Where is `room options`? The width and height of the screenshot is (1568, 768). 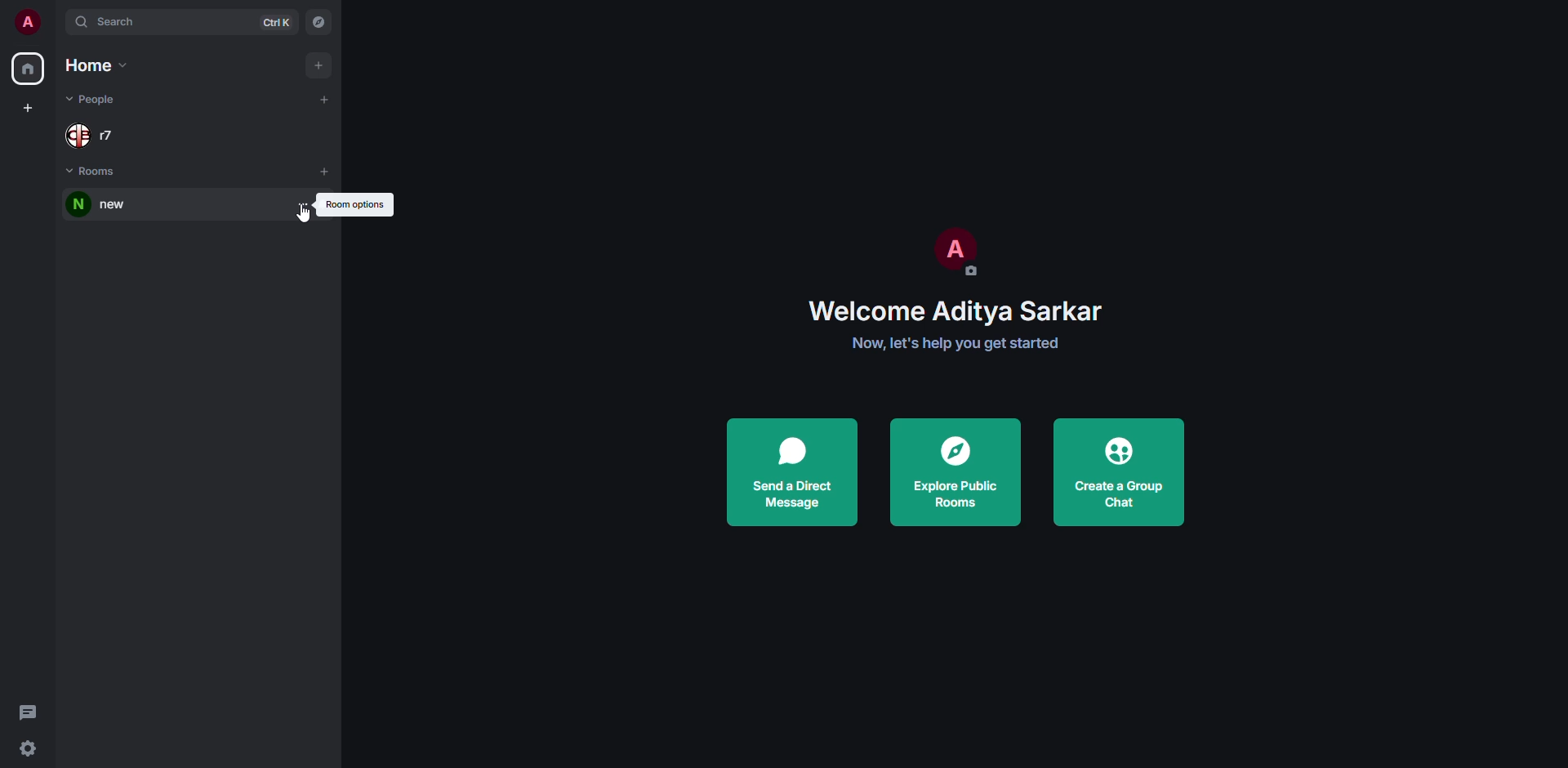 room options is located at coordinates (305, 204).